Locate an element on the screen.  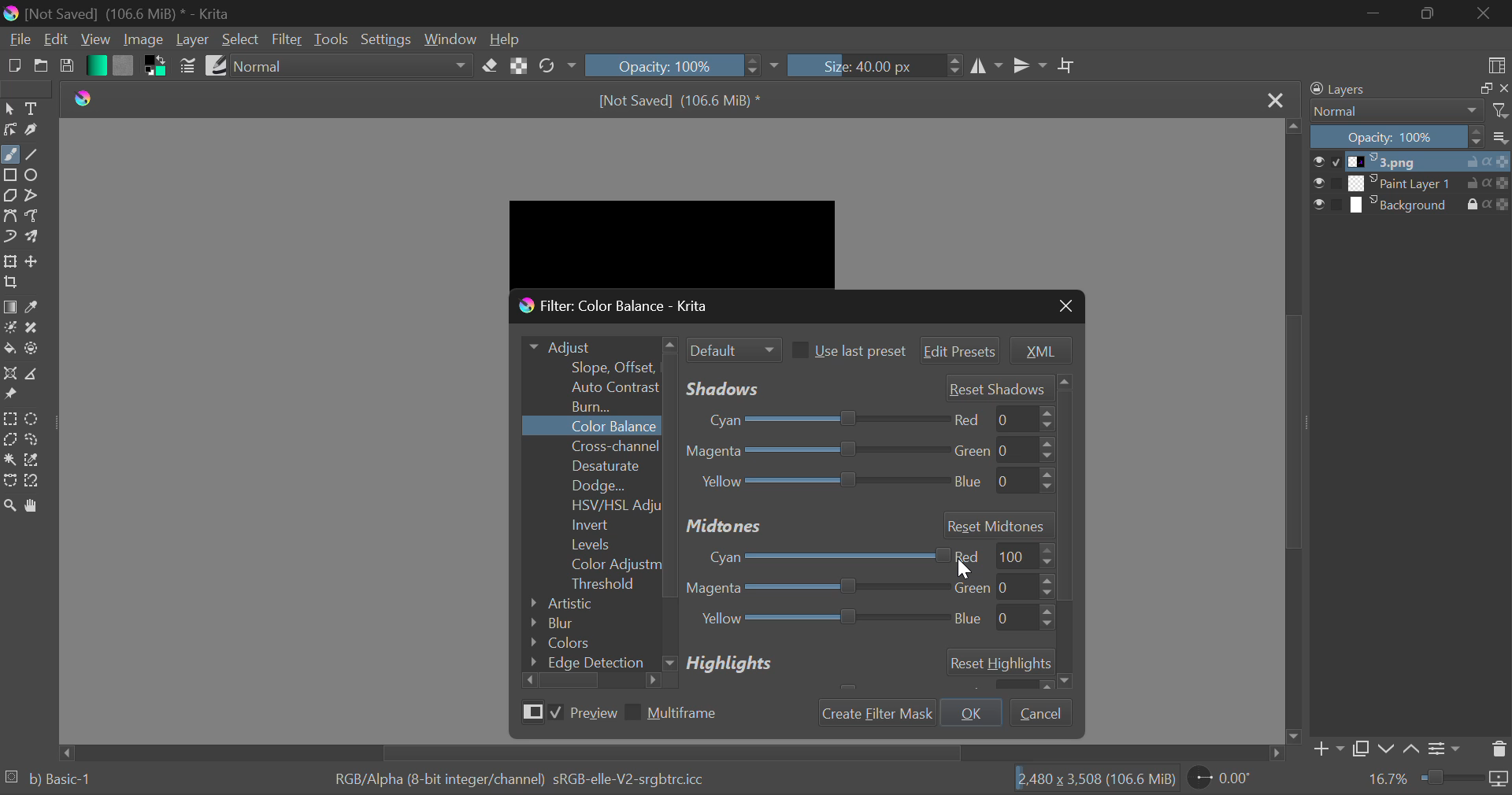
Select is located at coordinates (9, 110).